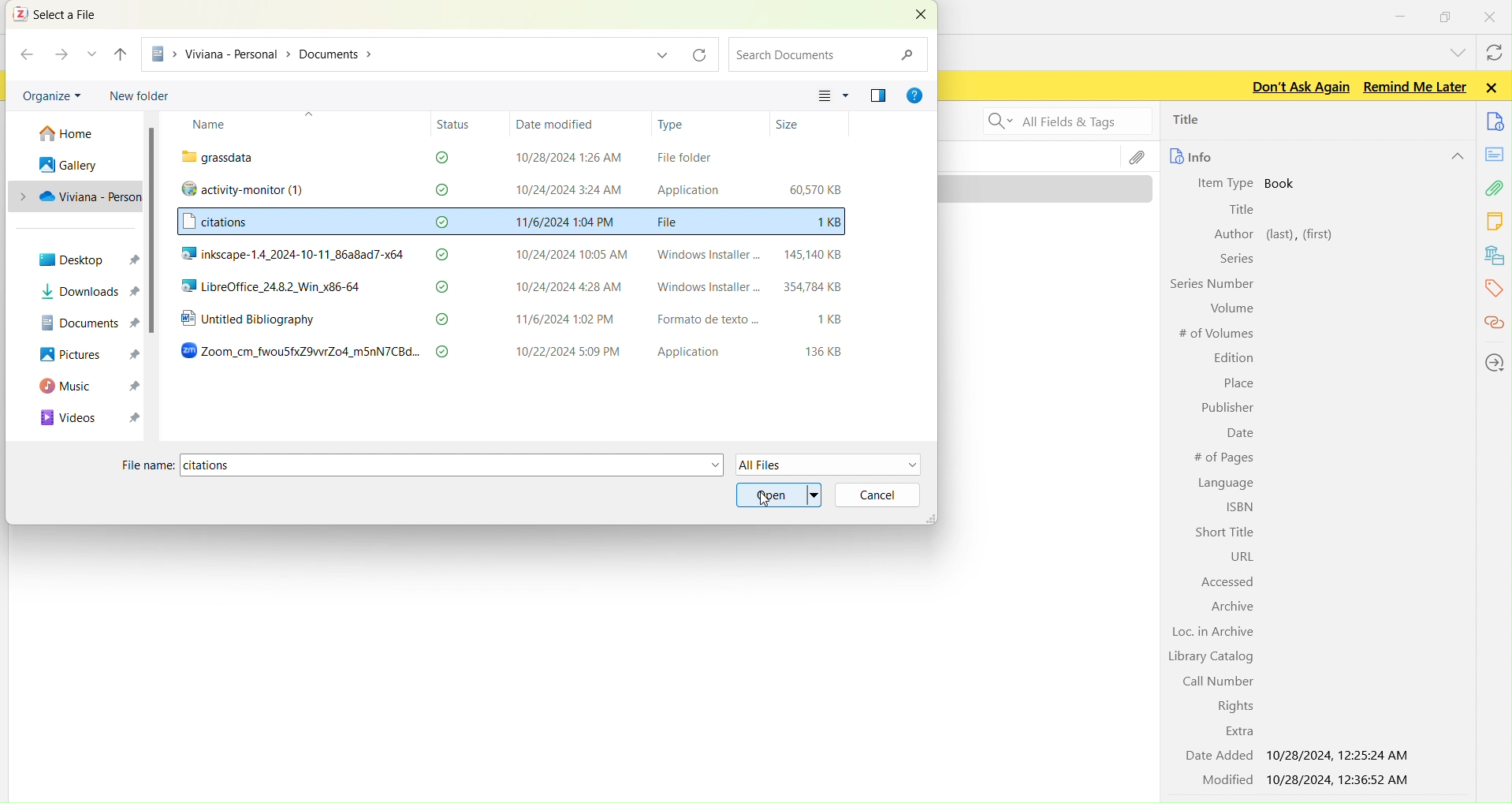  I want to click on # of Volumes, so click(1214, 332).